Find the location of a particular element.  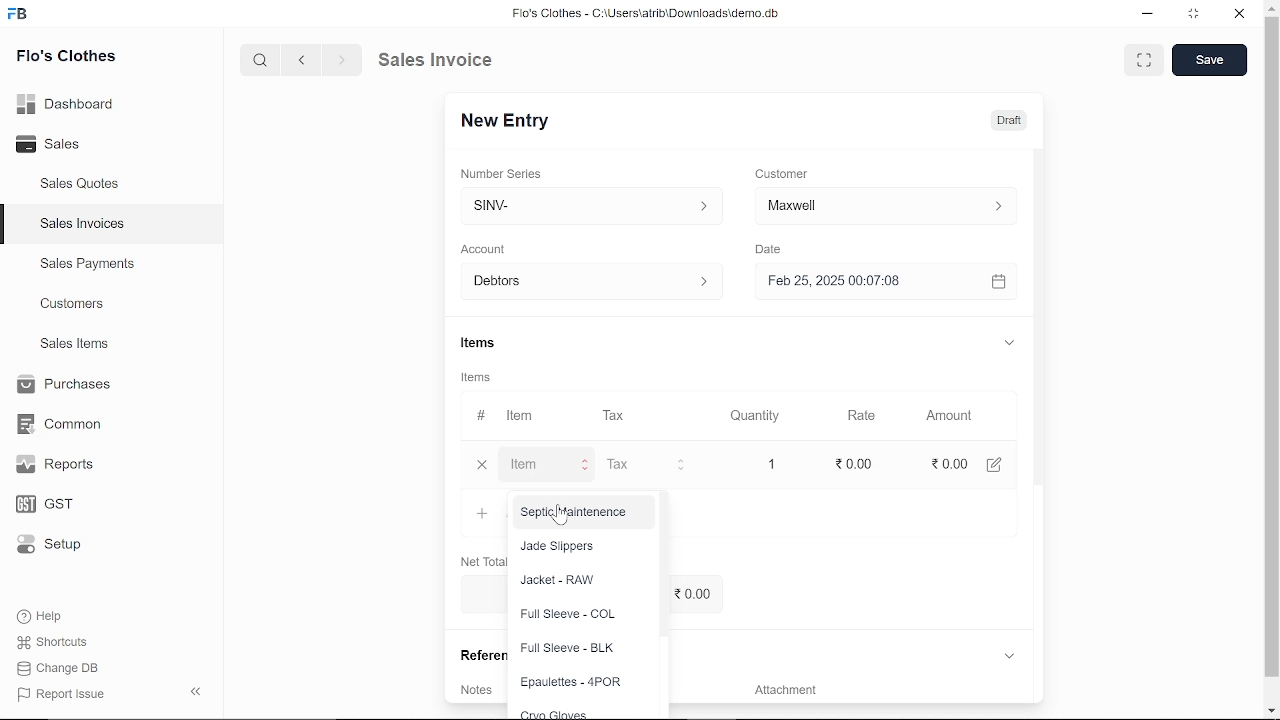

save is located at coordinates (1208, 61).